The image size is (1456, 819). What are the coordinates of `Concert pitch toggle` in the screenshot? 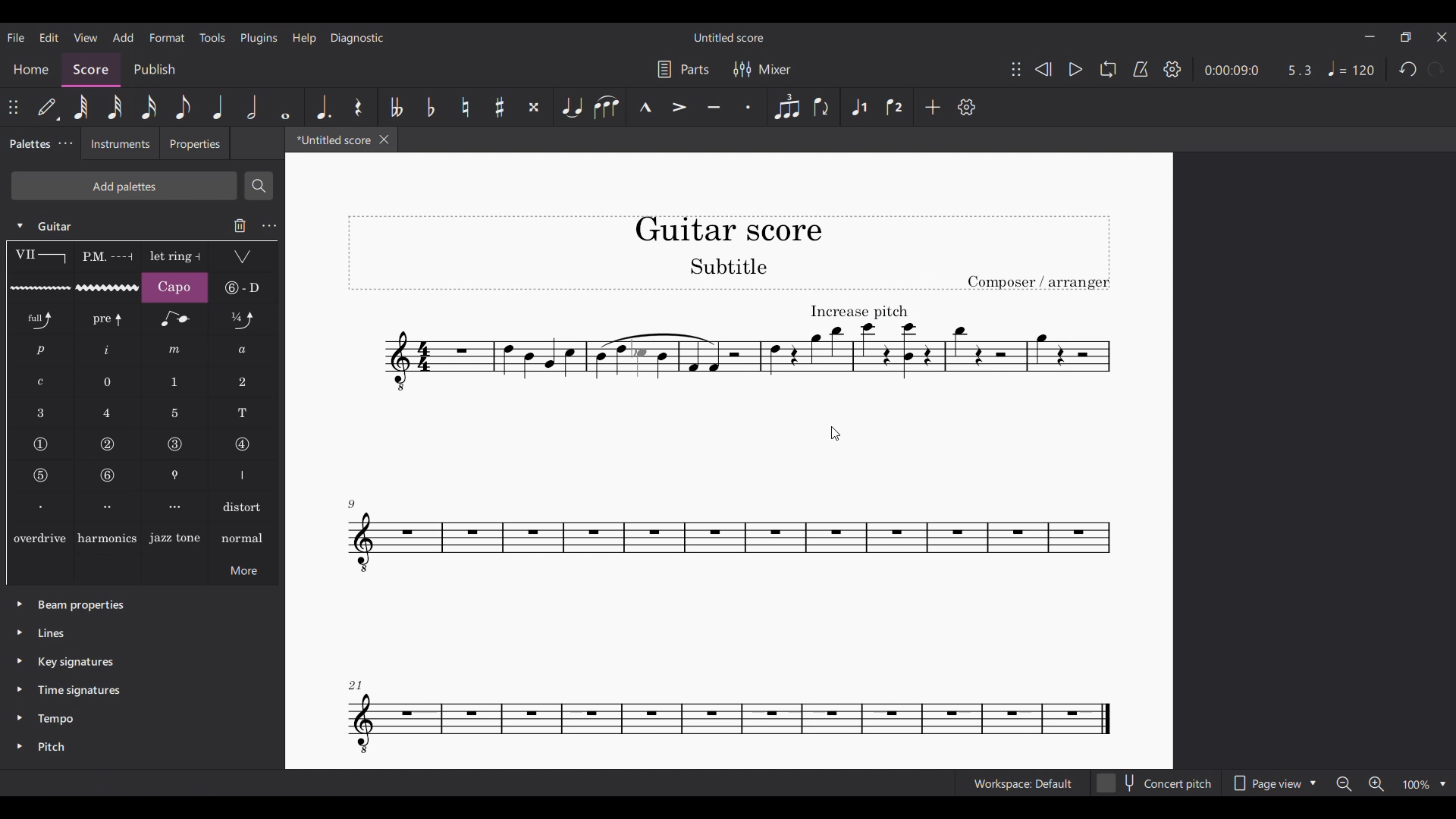 It's located at (1156, 783).